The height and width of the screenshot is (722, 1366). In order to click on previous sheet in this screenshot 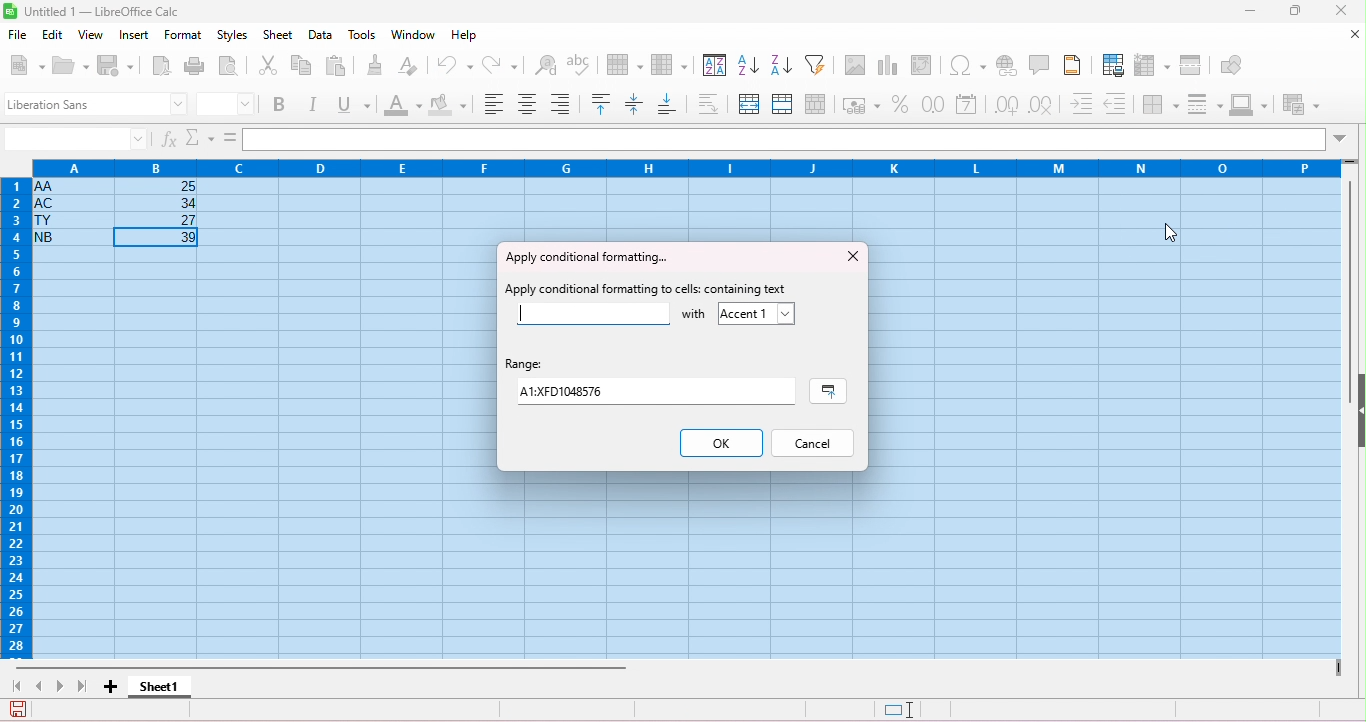, I will do `click(41, 686)`.